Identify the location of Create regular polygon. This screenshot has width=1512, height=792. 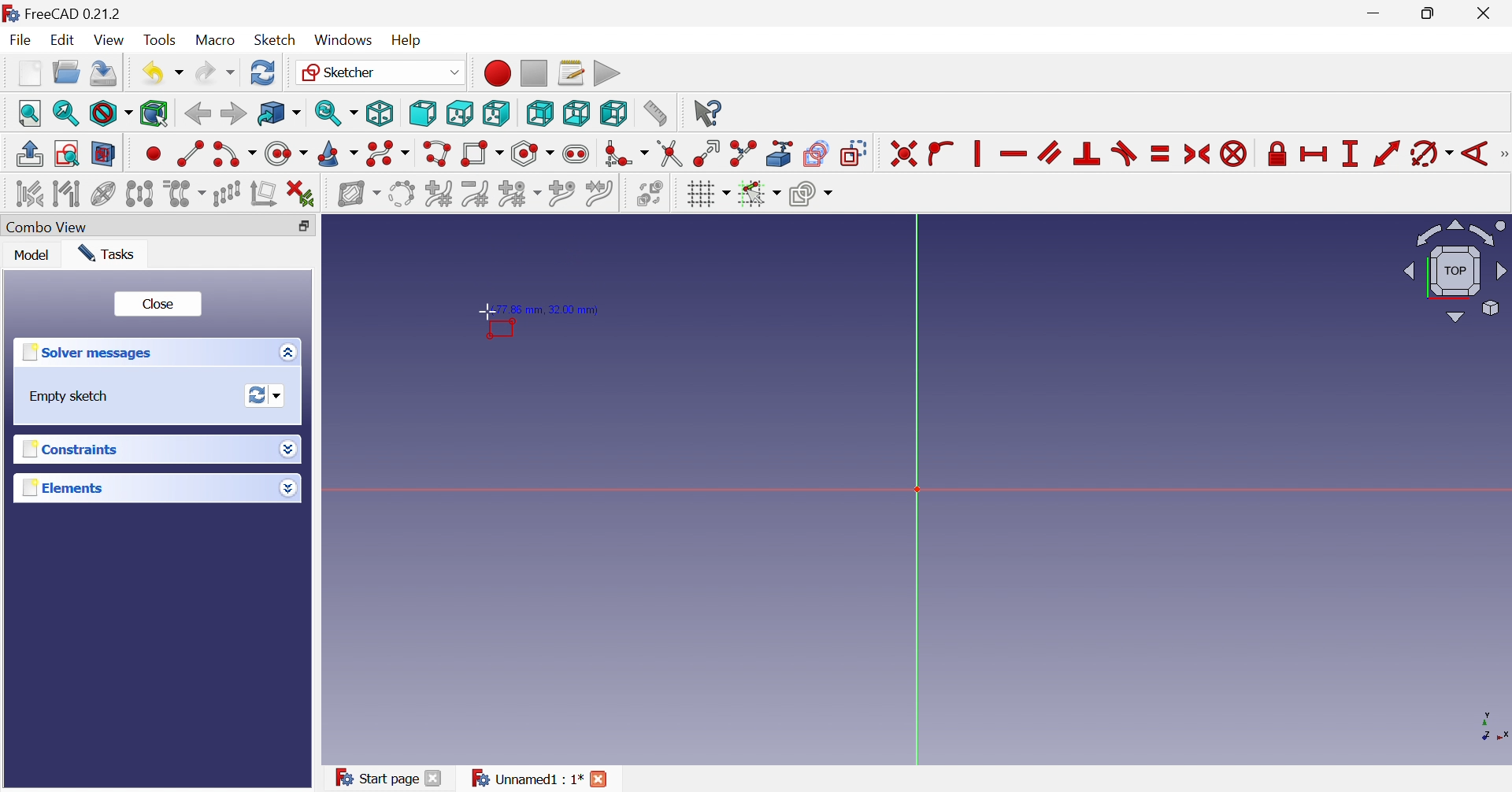
(533, 154).